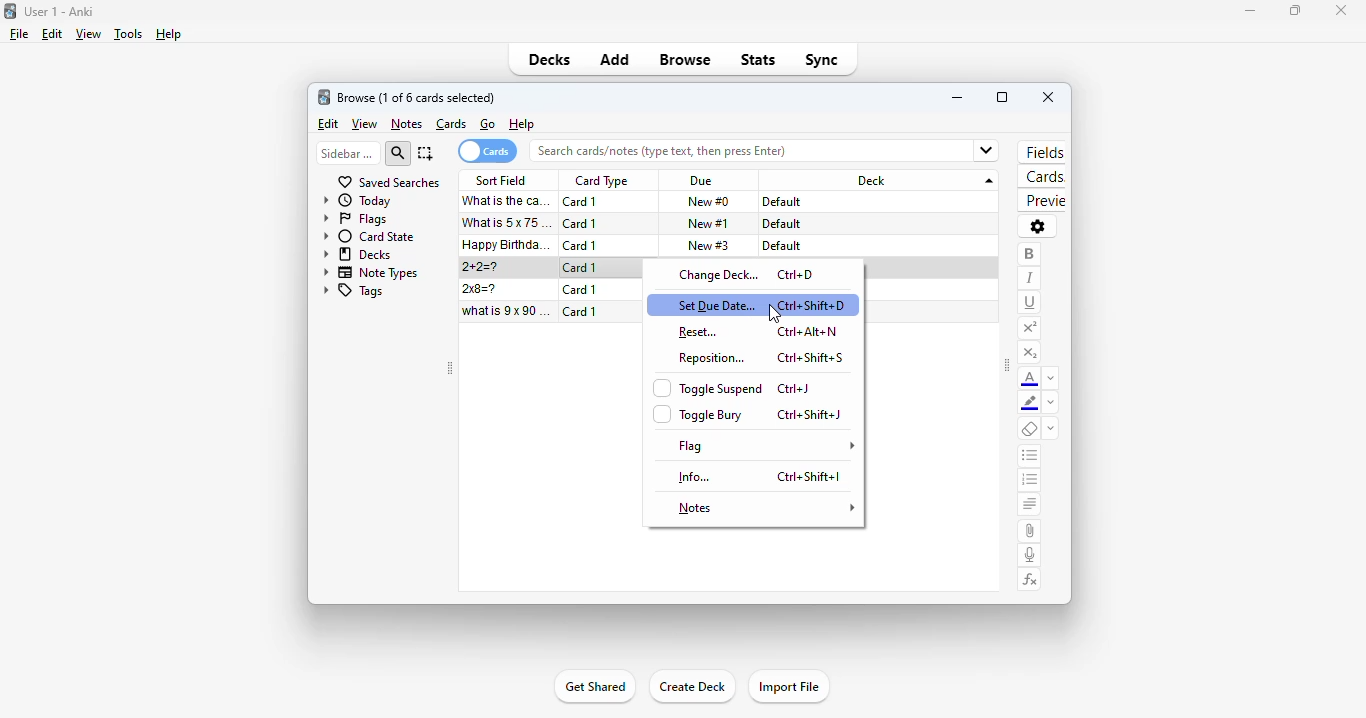 The width and height of the screenshot is (1366, 718). What do you see at coordinates (716, 305) in the screenshot?
I see `set due date` at bounding box center [716, 305].